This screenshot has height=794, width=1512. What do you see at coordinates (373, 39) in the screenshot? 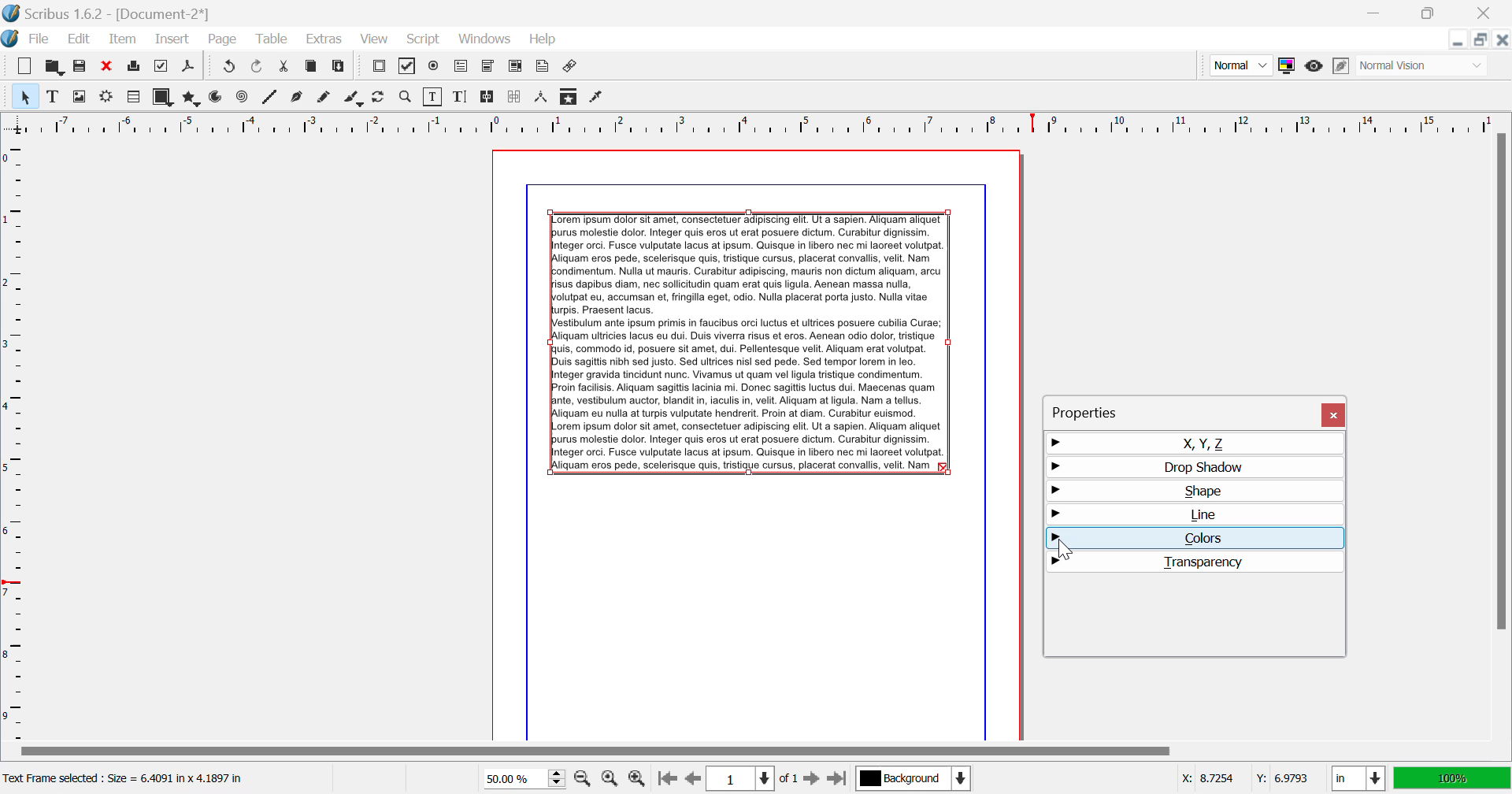
I see `View` at bounding box center [373, 39].